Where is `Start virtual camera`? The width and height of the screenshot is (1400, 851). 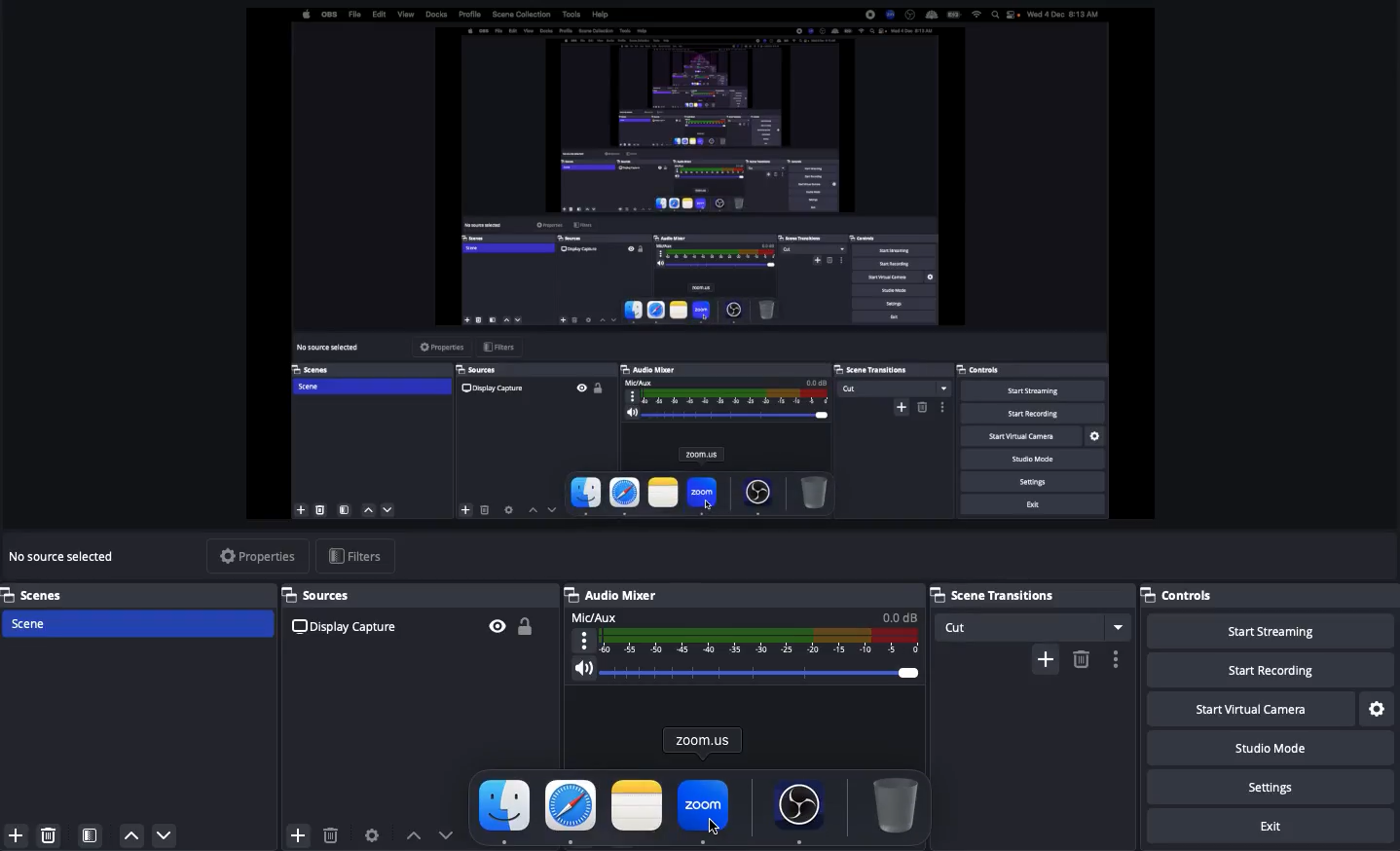
Start virtual camera is located at coordinates (1248, 710).